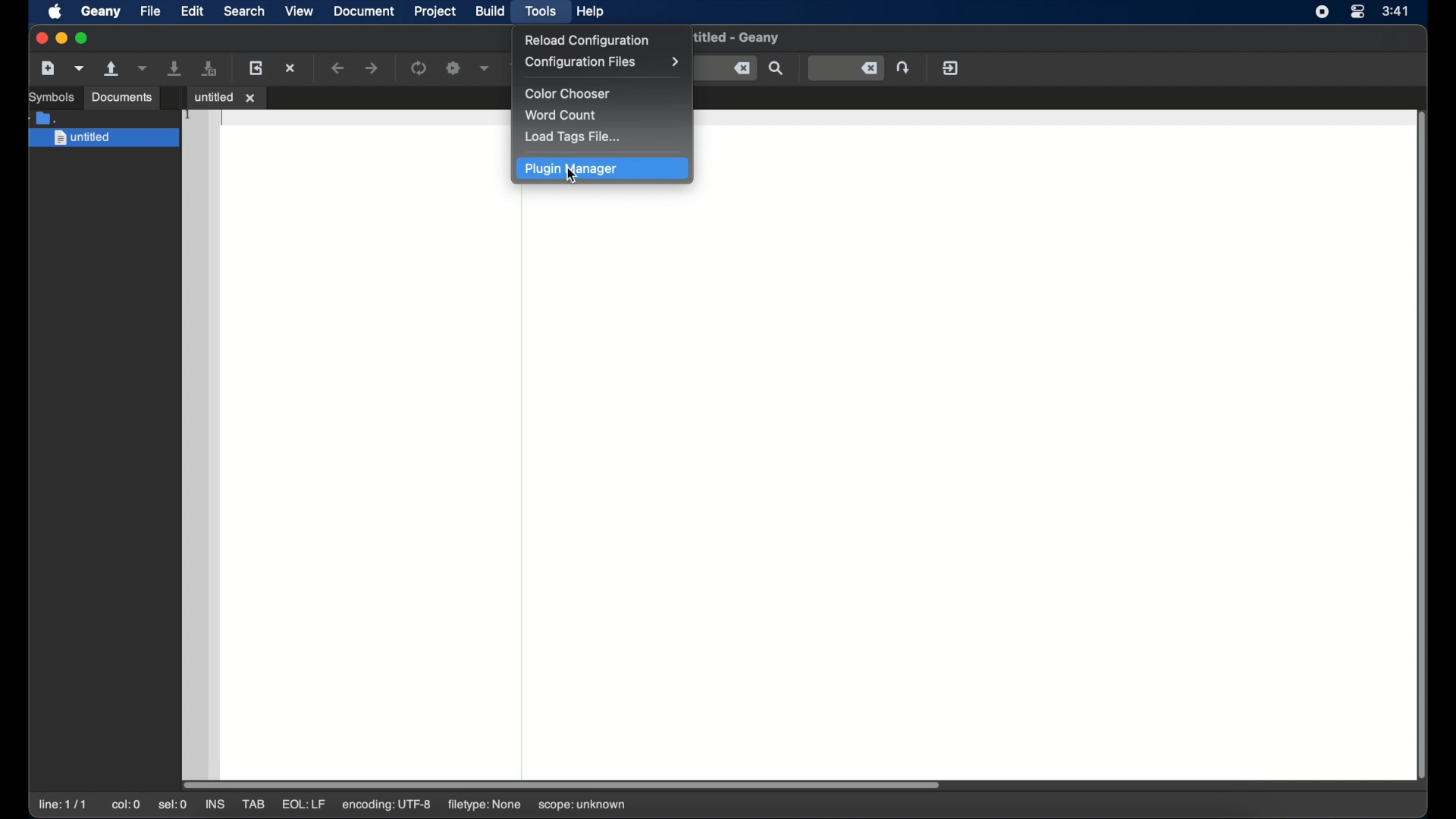 This screenshot has height=819, width=1456. What do you see at coordinates (80, 69) in the screenshot?
I see `create a new file from template` at bounding box center [80, 69].